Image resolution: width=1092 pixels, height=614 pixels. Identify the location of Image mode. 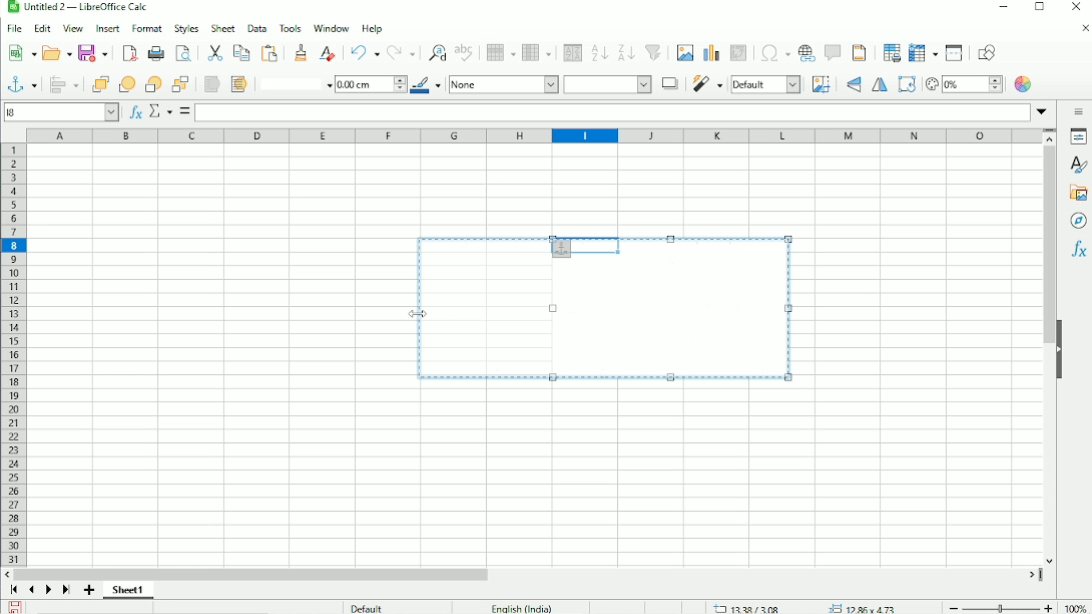
(766, 84).